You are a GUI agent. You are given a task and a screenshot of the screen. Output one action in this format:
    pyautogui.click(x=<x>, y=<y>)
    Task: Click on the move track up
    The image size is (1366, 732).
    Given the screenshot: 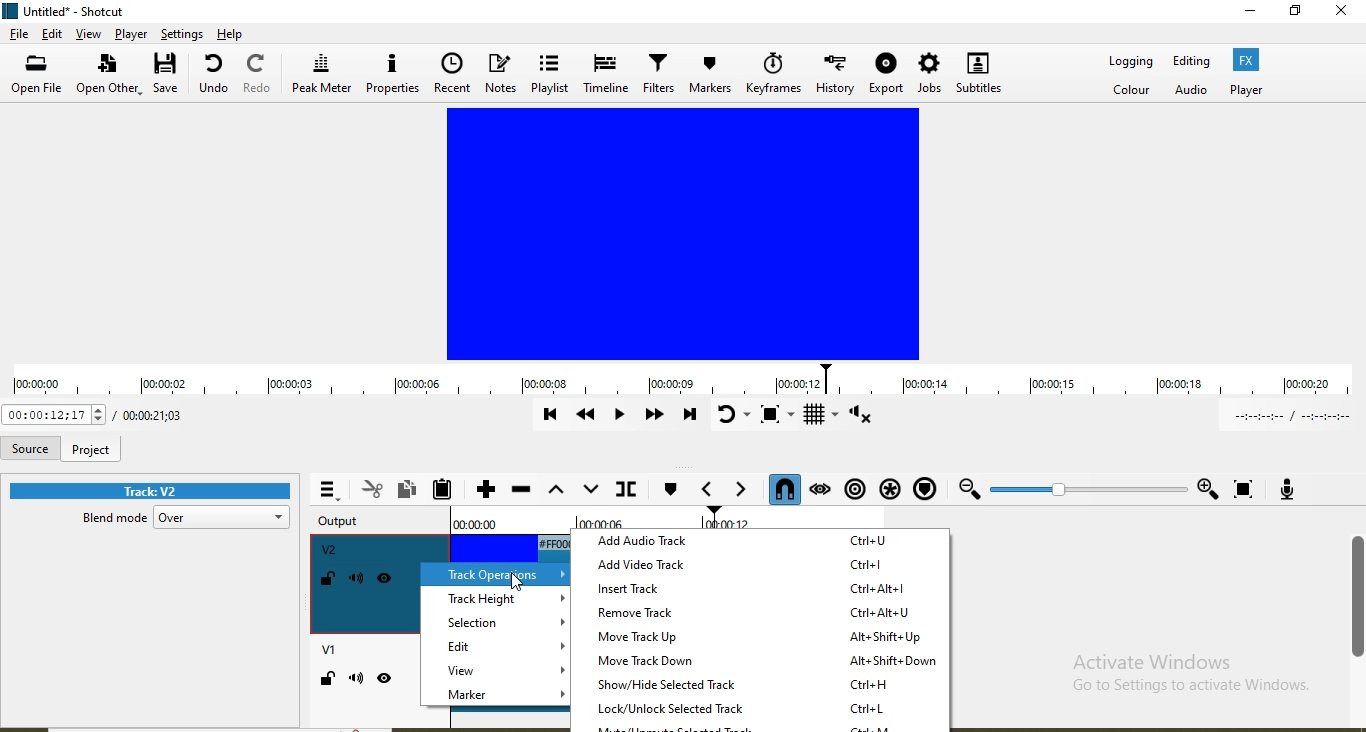 What is the action you would take?
    pyautogui.click(x=765, y=638)
    